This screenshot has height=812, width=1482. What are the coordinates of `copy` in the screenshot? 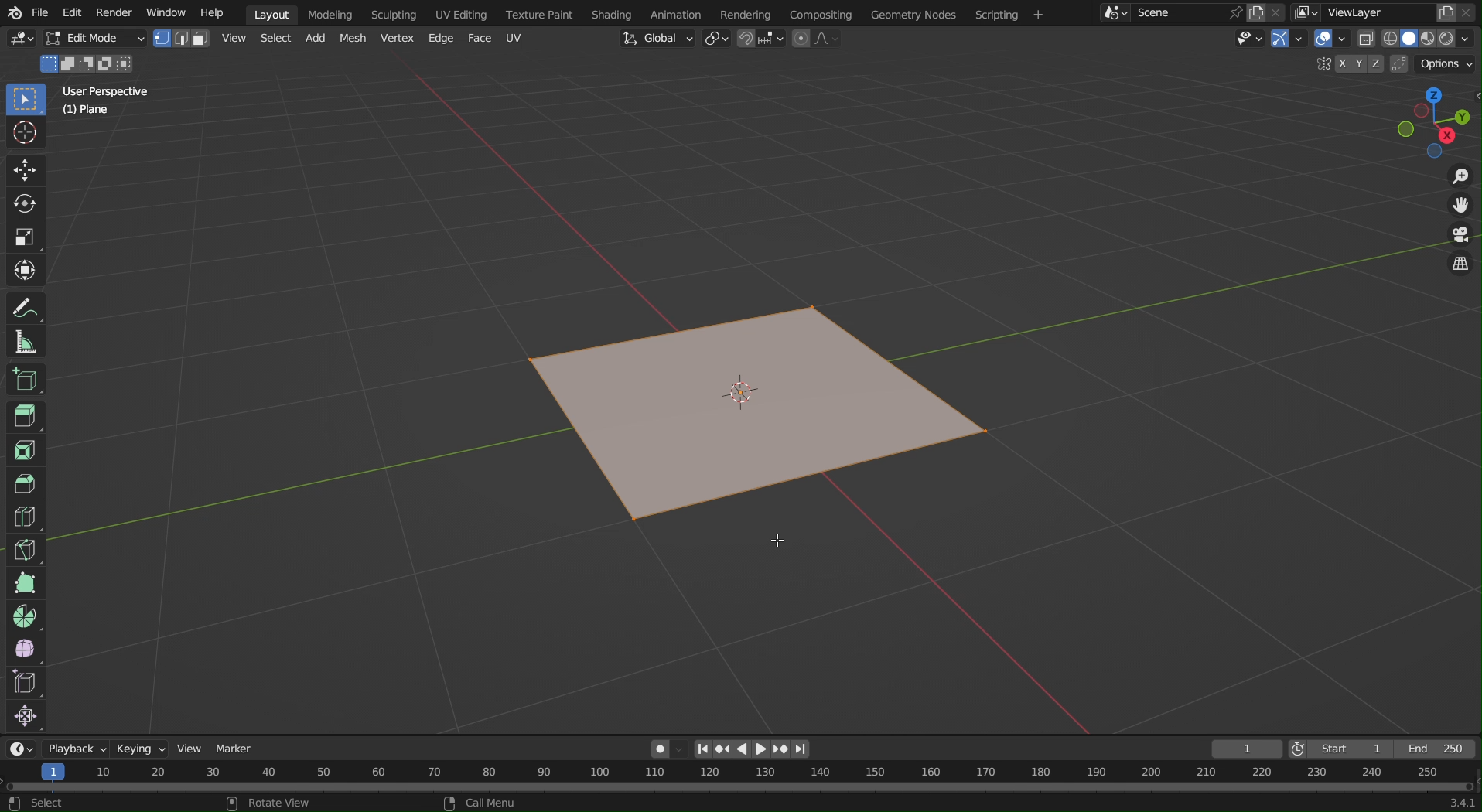 It's located at (1258, 11).